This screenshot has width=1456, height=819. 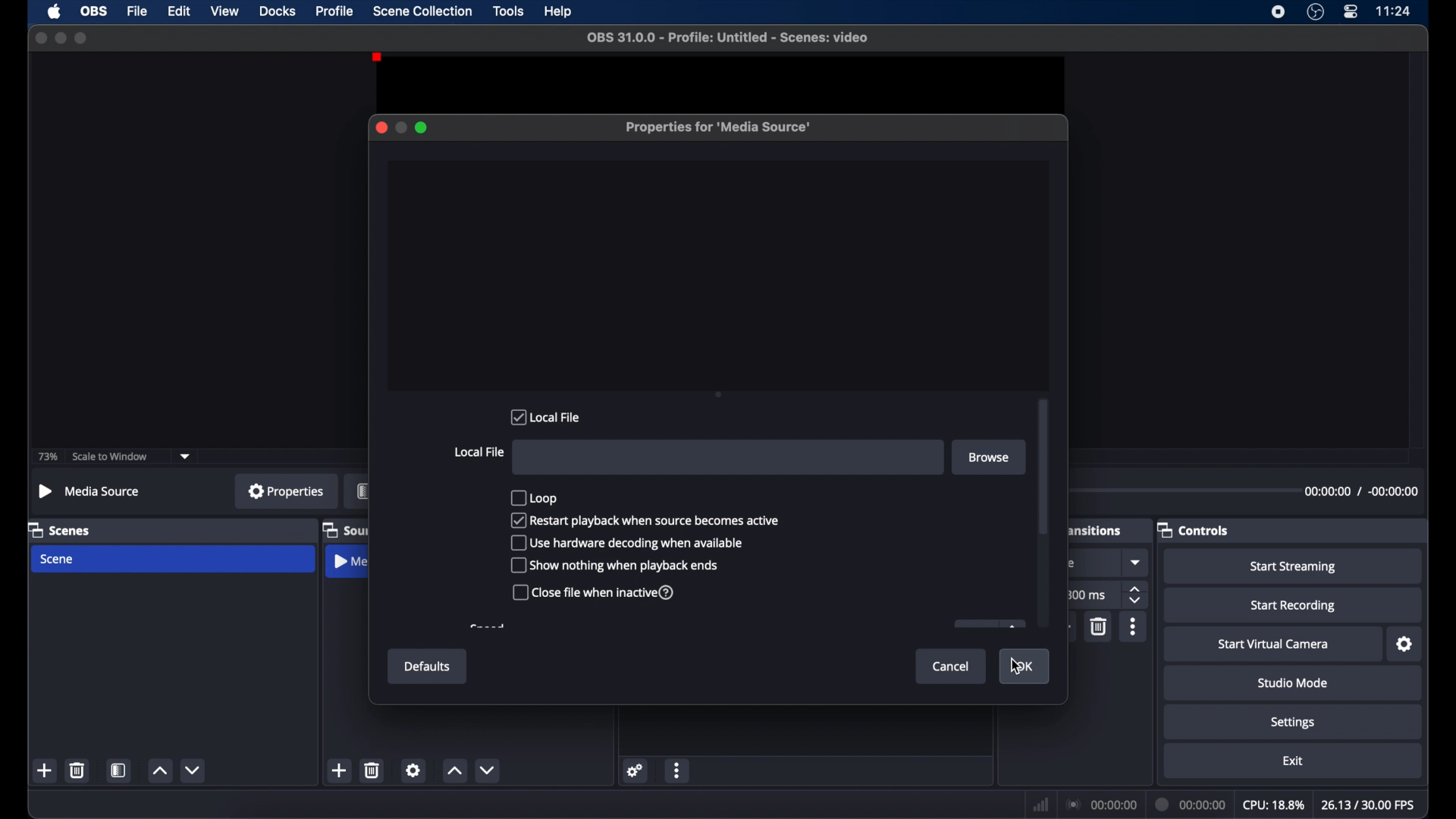 What do you see at coordinates (194, 770) in the screenshot?
I see `decrement` at bounding box center [194, 770].